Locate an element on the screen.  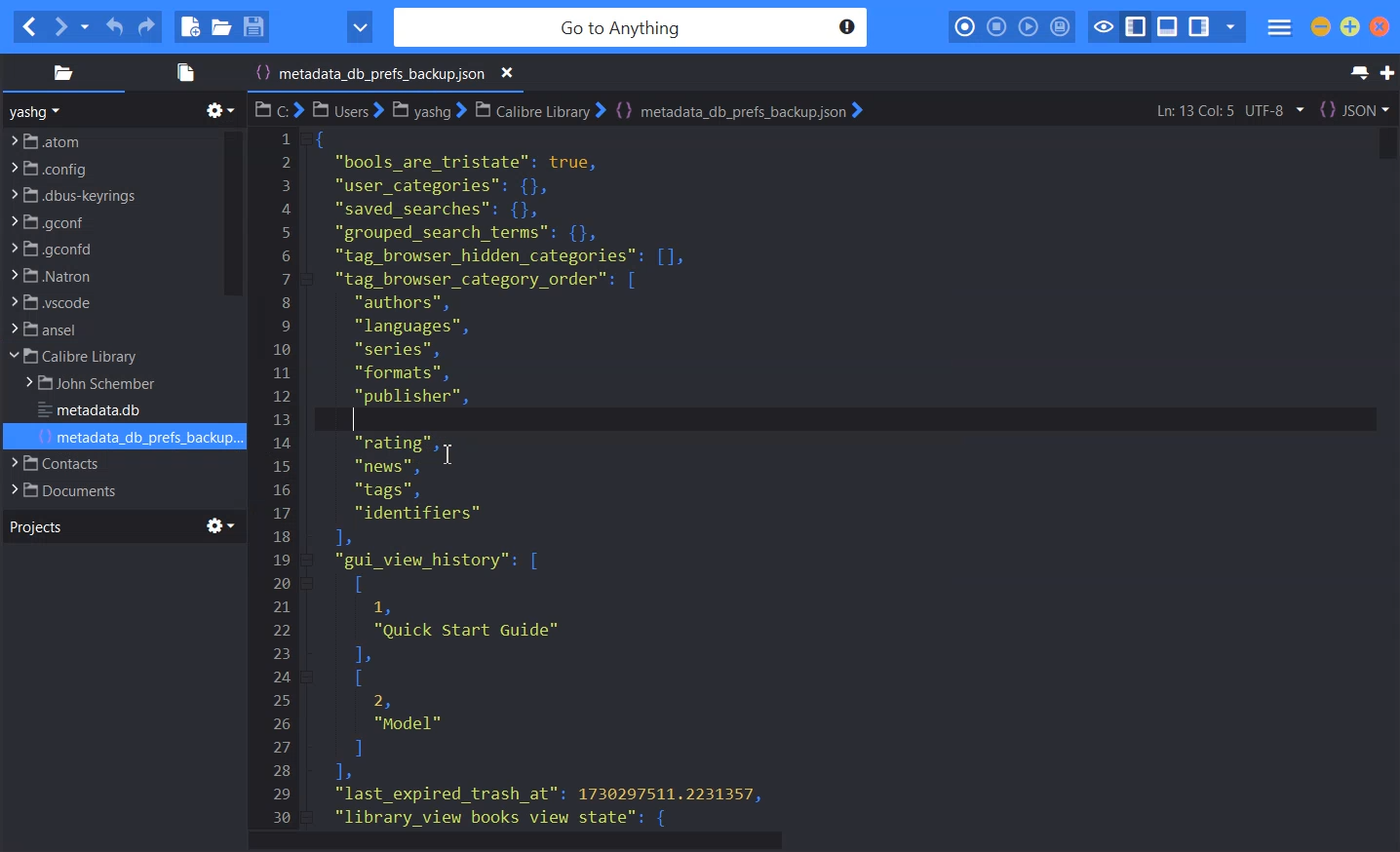
File is located at coordinates (108, 275).